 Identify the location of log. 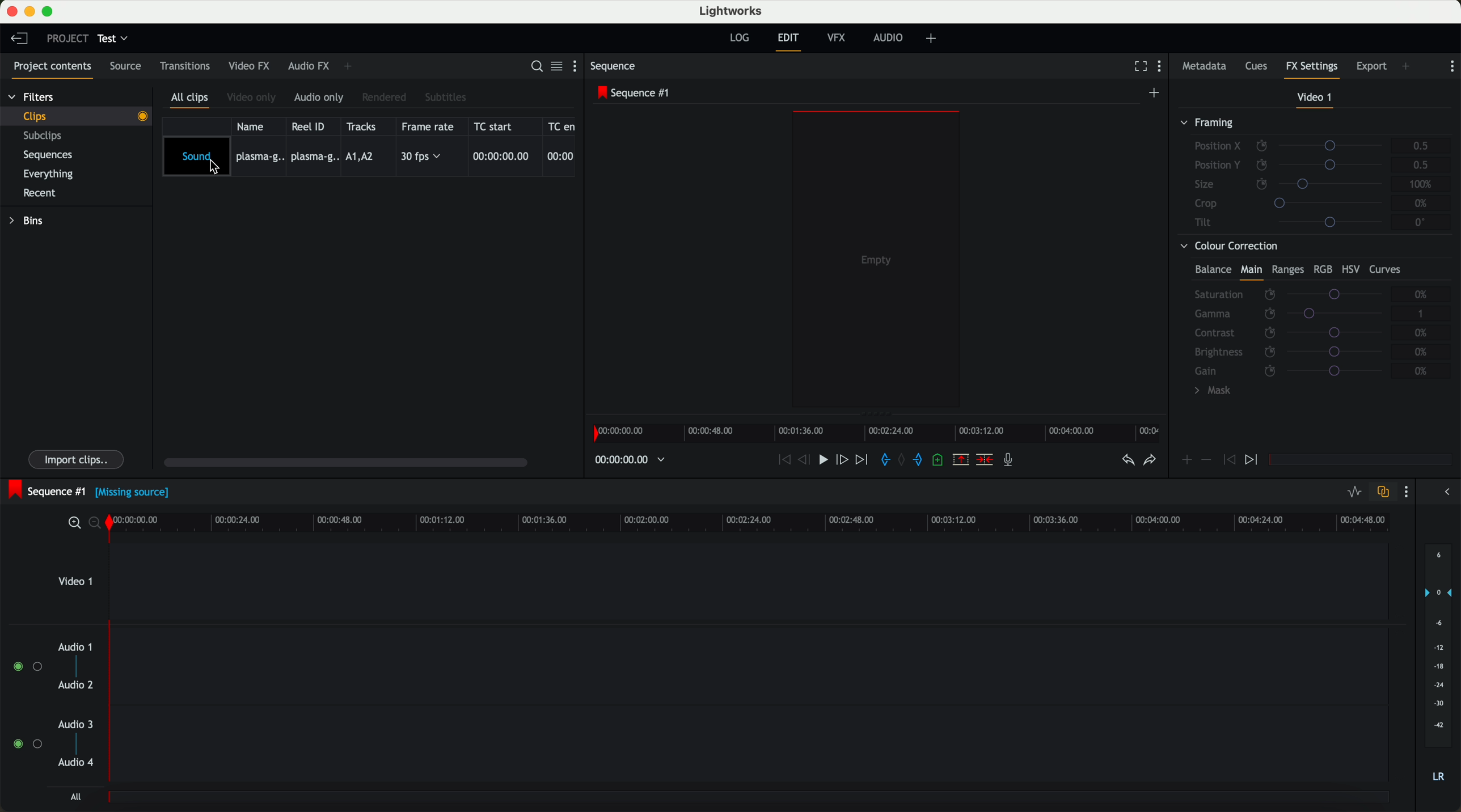
(738, 38).